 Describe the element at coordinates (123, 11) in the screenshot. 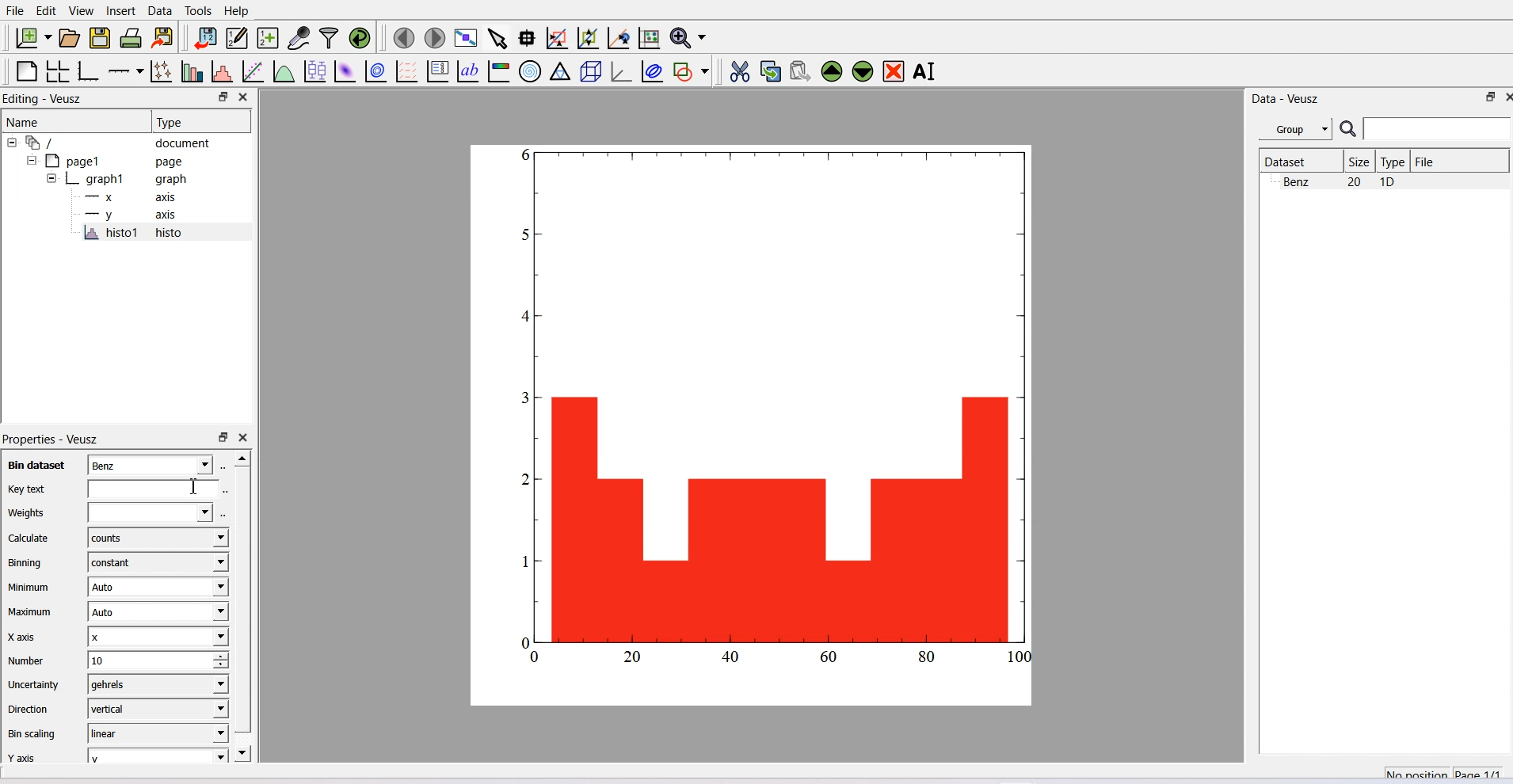

I see `Insert` at that location.